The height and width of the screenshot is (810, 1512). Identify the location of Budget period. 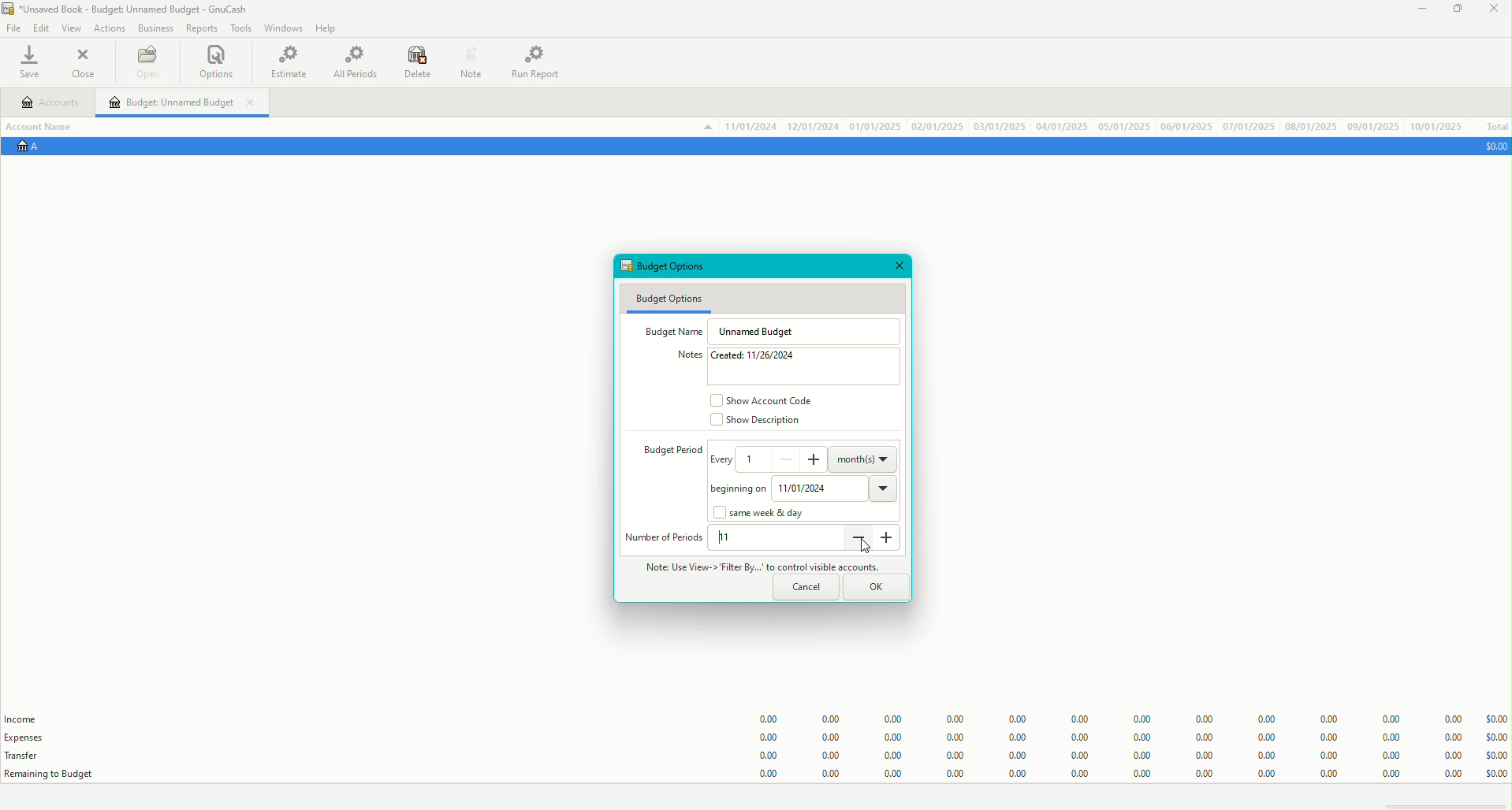
(664, 451).